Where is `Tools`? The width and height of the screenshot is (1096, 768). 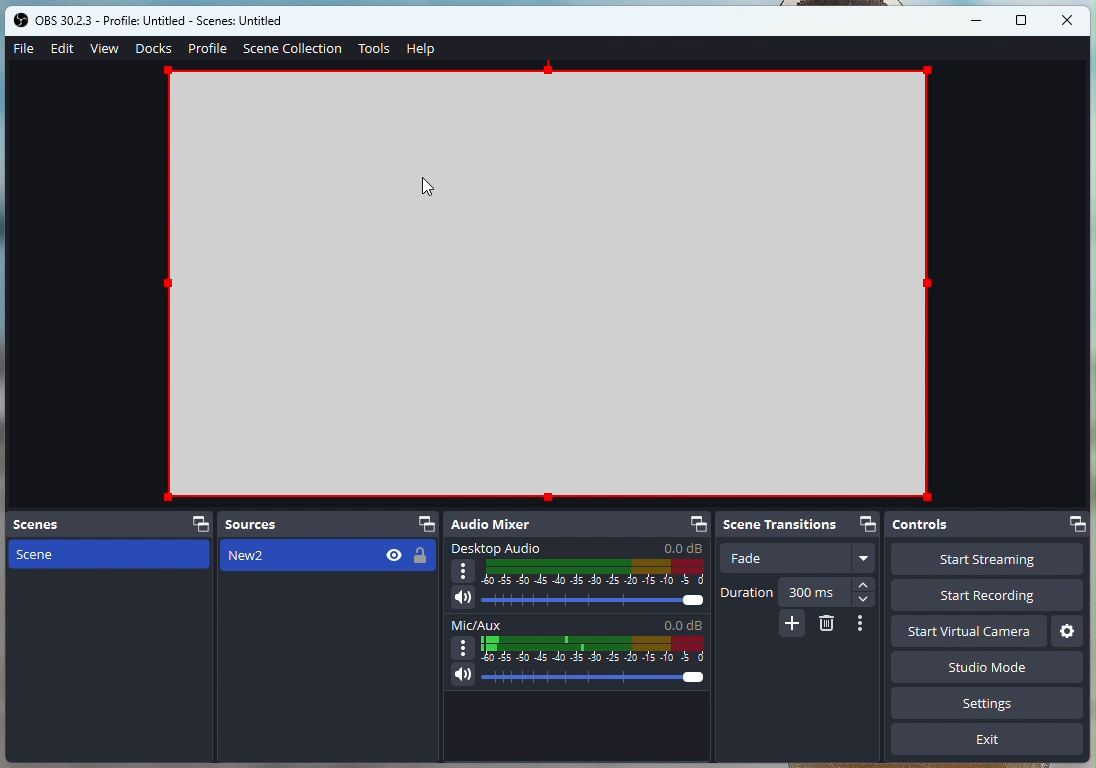
Tools is located at coordinates (374, 50).